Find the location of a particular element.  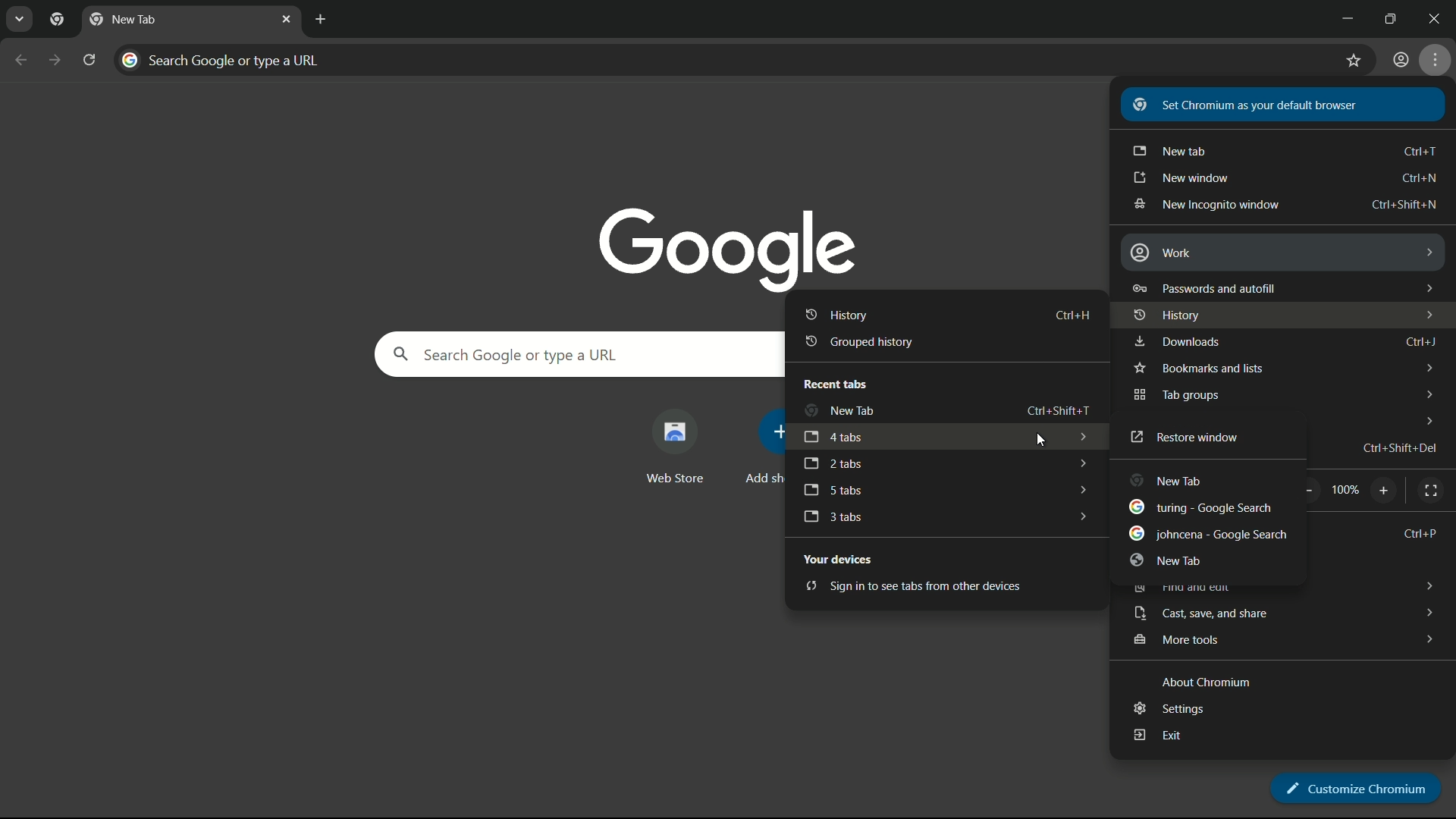

zoom in is located at coordinates (1385, 490).